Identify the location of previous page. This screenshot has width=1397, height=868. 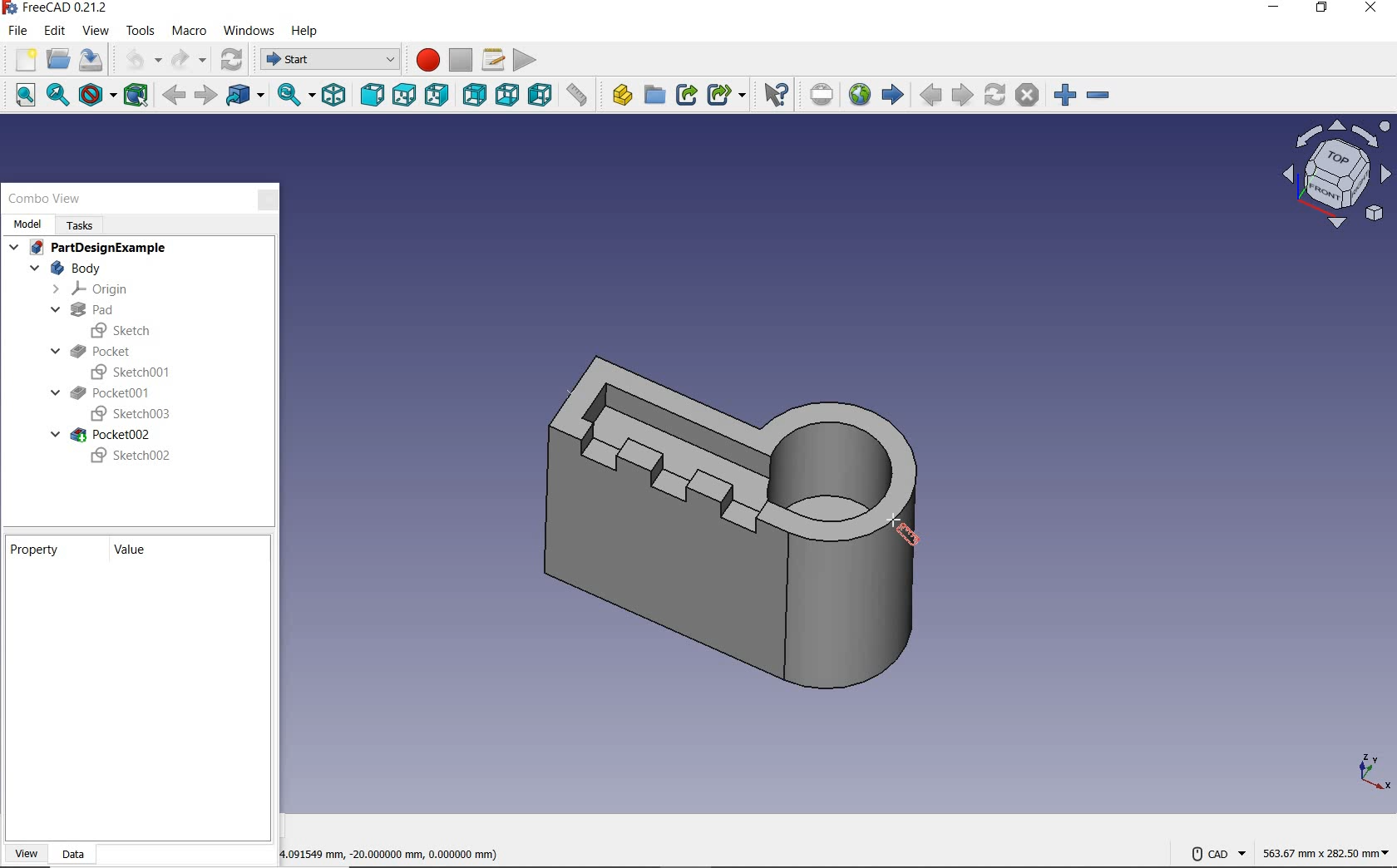
(930, 96).